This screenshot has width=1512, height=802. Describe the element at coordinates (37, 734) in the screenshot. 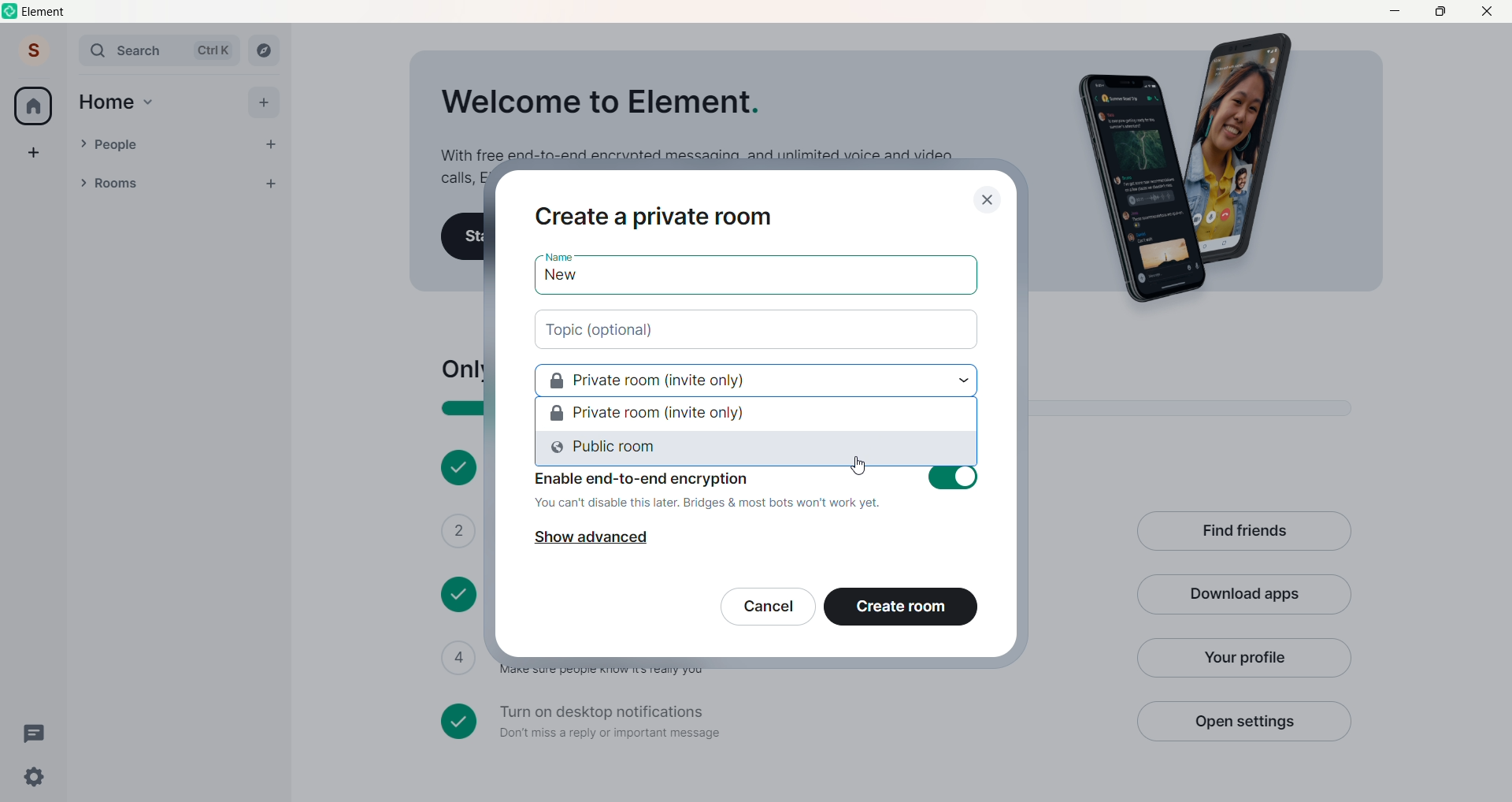

I see `Threads` at that location.